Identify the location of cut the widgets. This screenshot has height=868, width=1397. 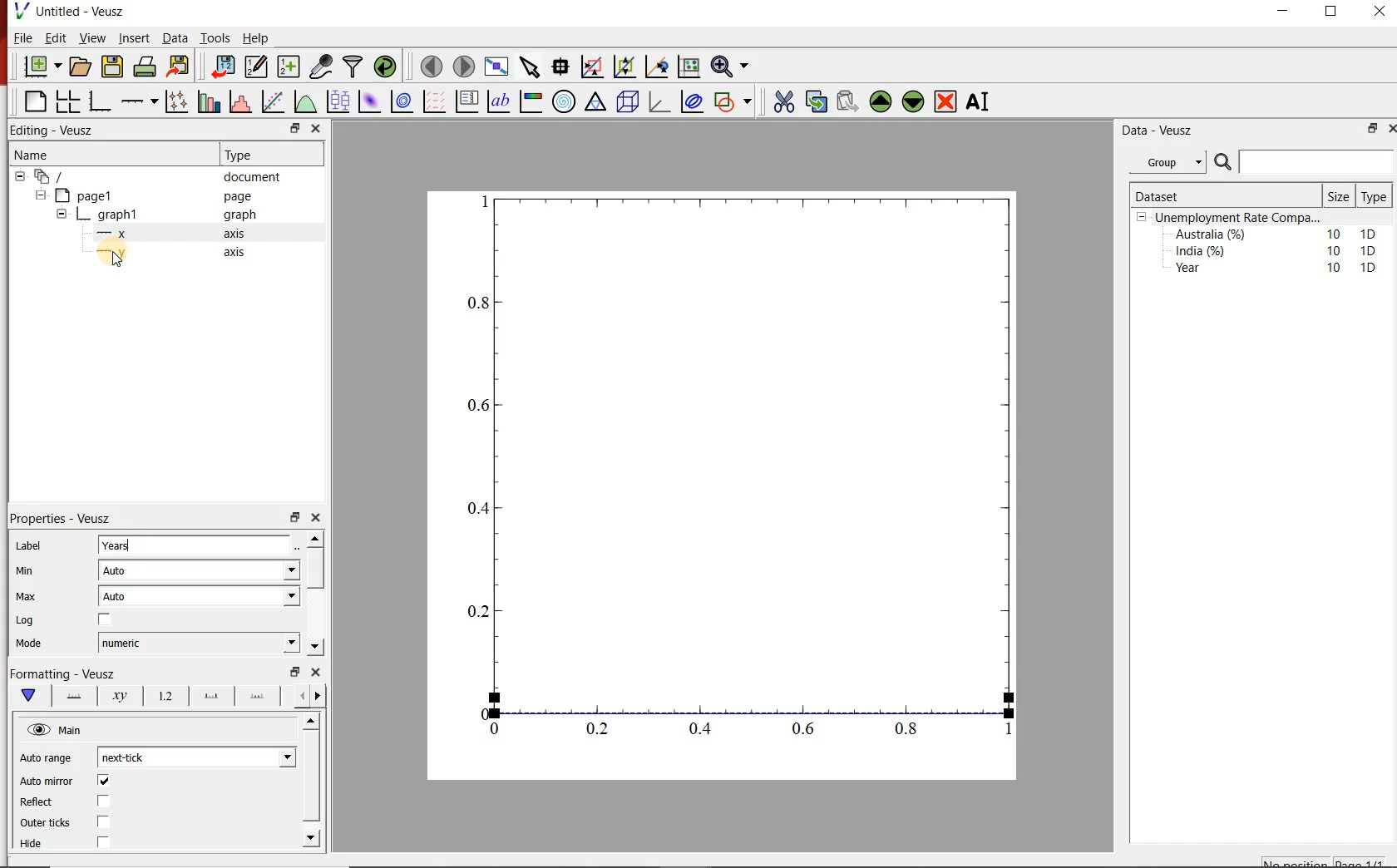
(784, 101).